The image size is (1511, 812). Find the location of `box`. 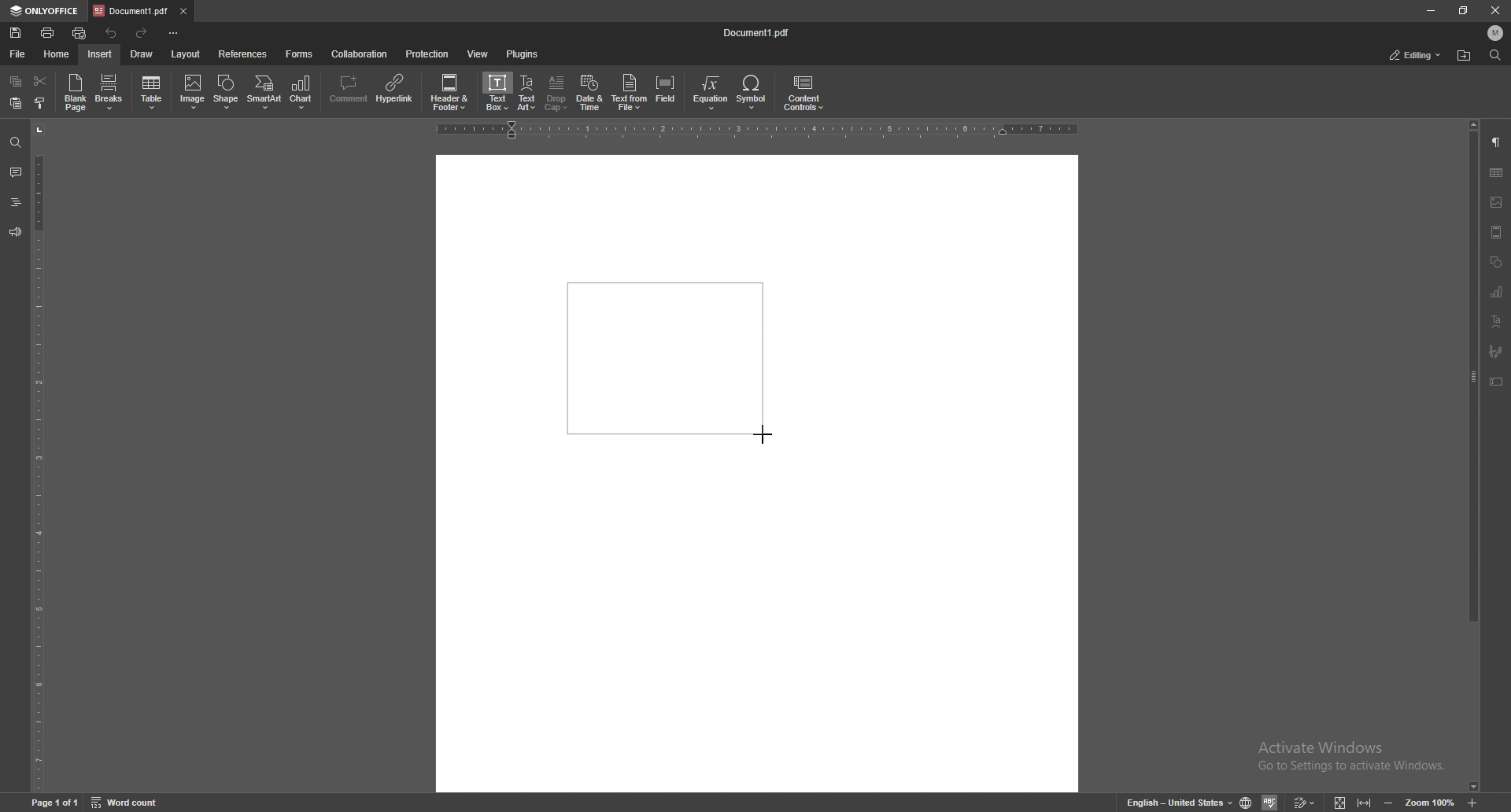

box is located at coordinates (659, 357).